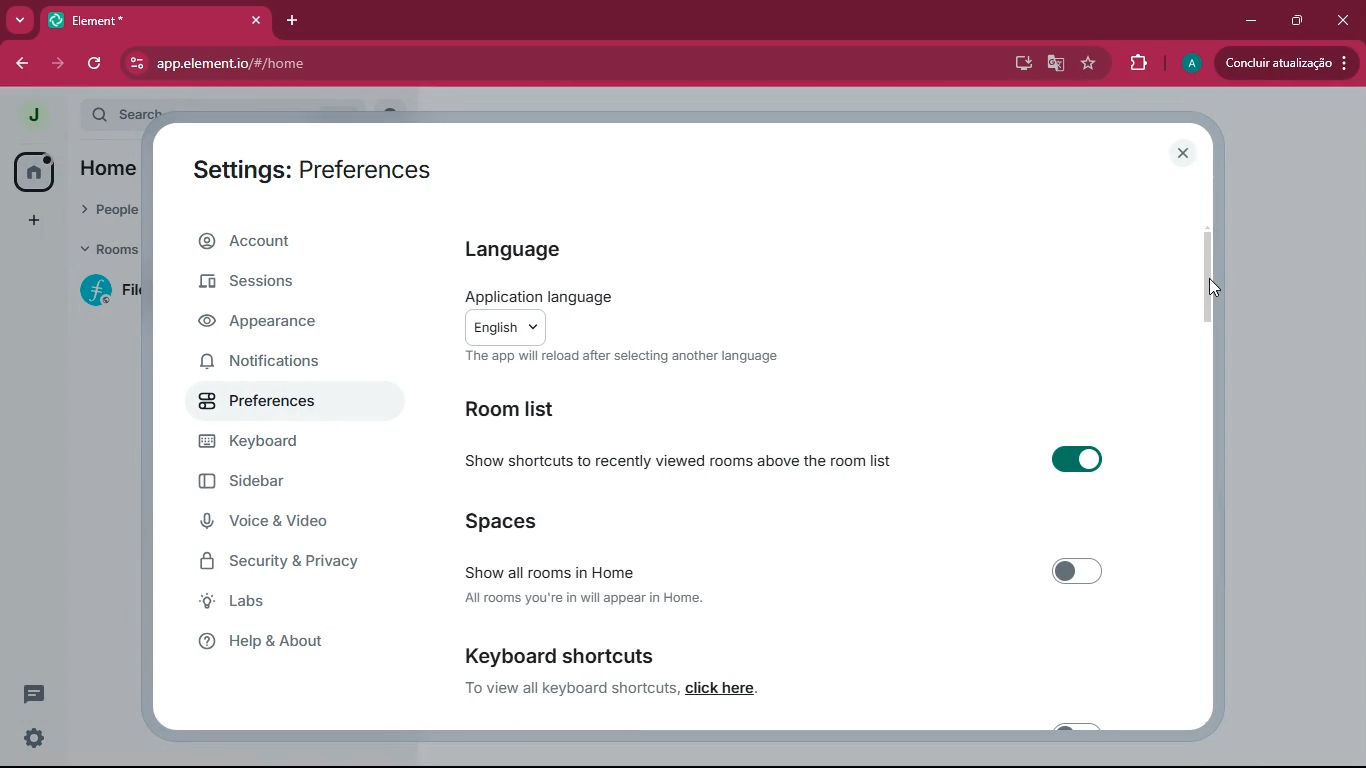 The image size is (1366, 768). What do you see at coordinates (1346, 19) in the screenshot?
I see `close` at bounding box center [1346, 19].